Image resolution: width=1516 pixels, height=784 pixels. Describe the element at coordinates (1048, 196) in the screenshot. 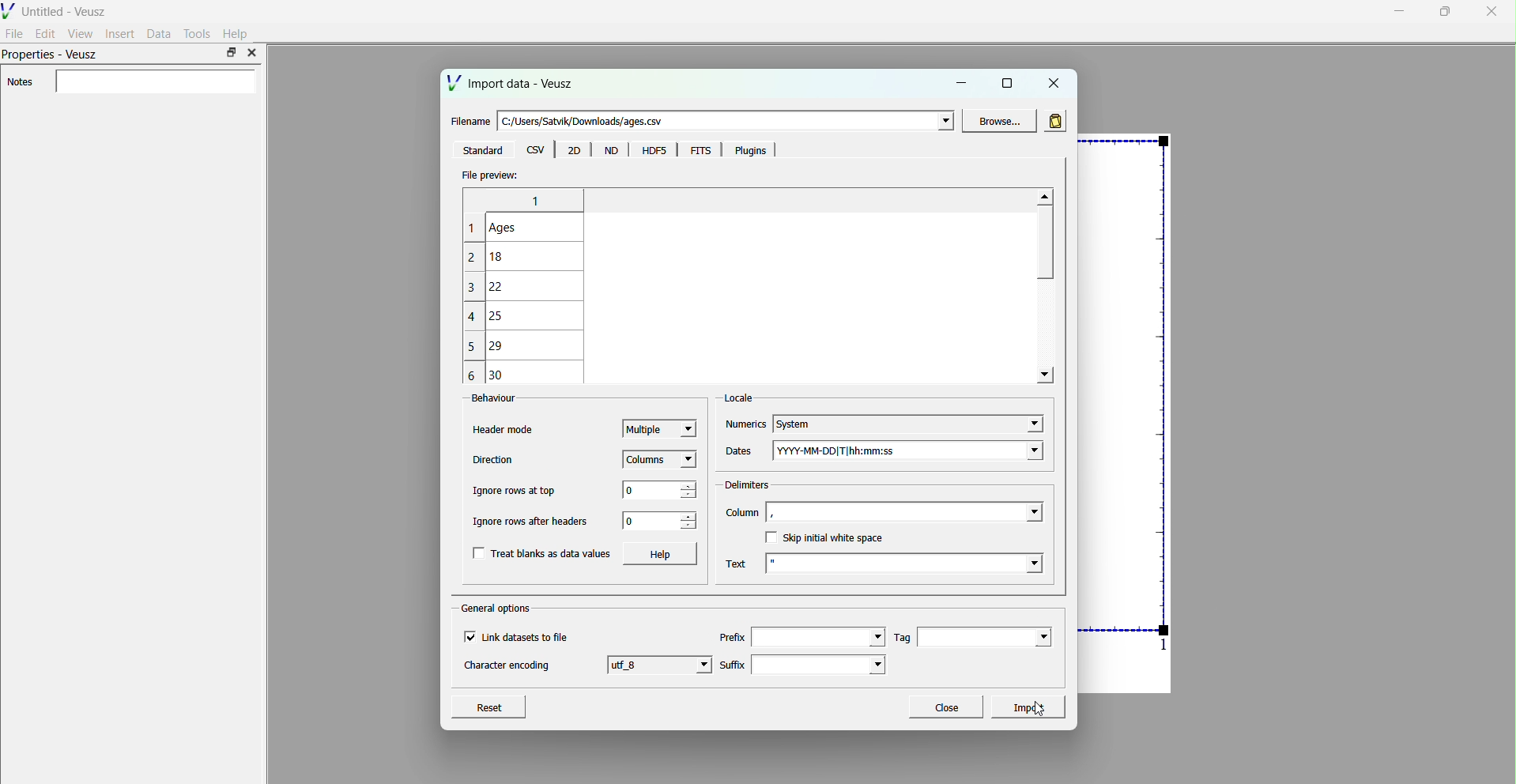

I see `move up` at that location.